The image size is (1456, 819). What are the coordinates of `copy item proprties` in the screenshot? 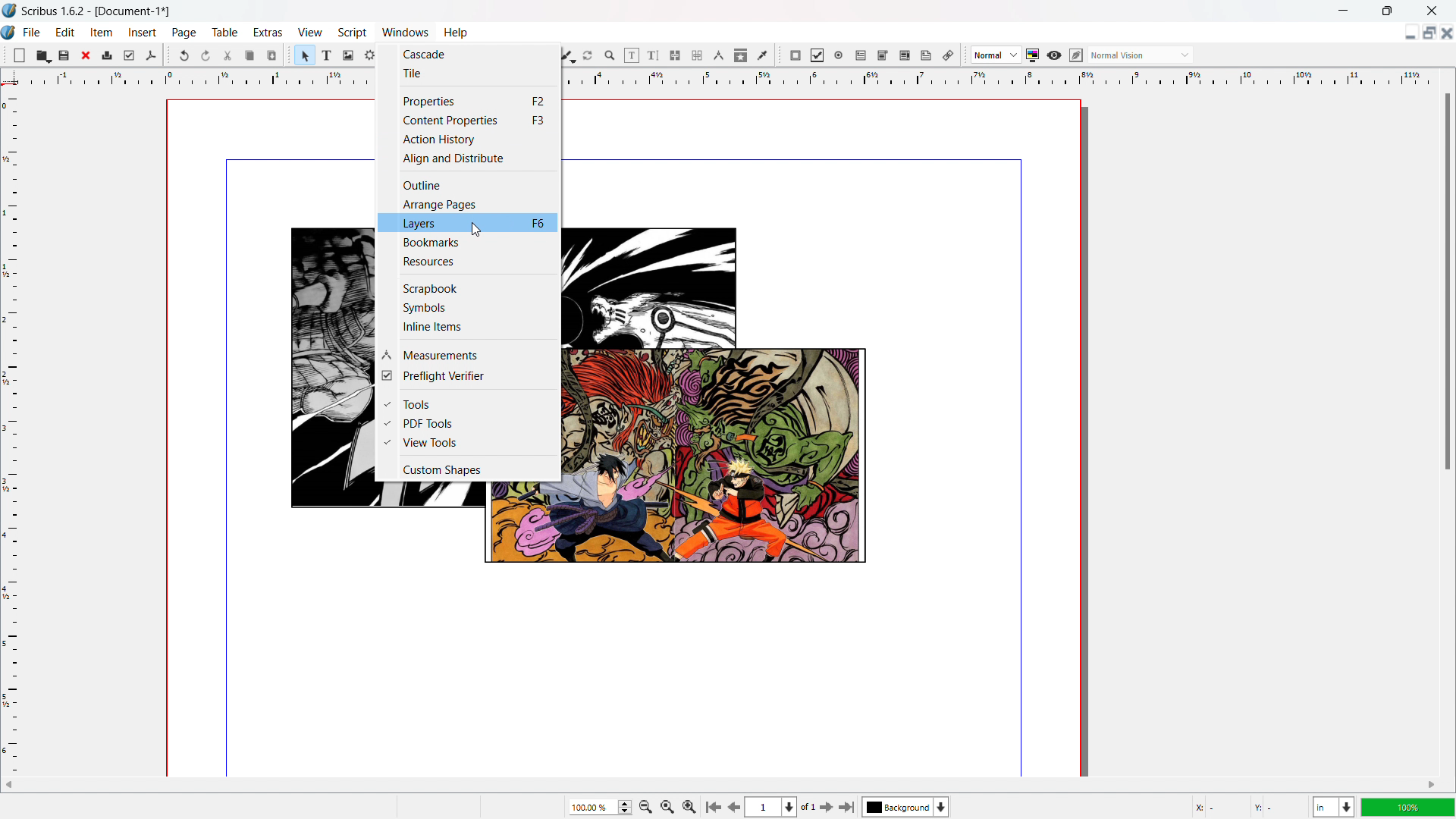 It's located at (741, 55).